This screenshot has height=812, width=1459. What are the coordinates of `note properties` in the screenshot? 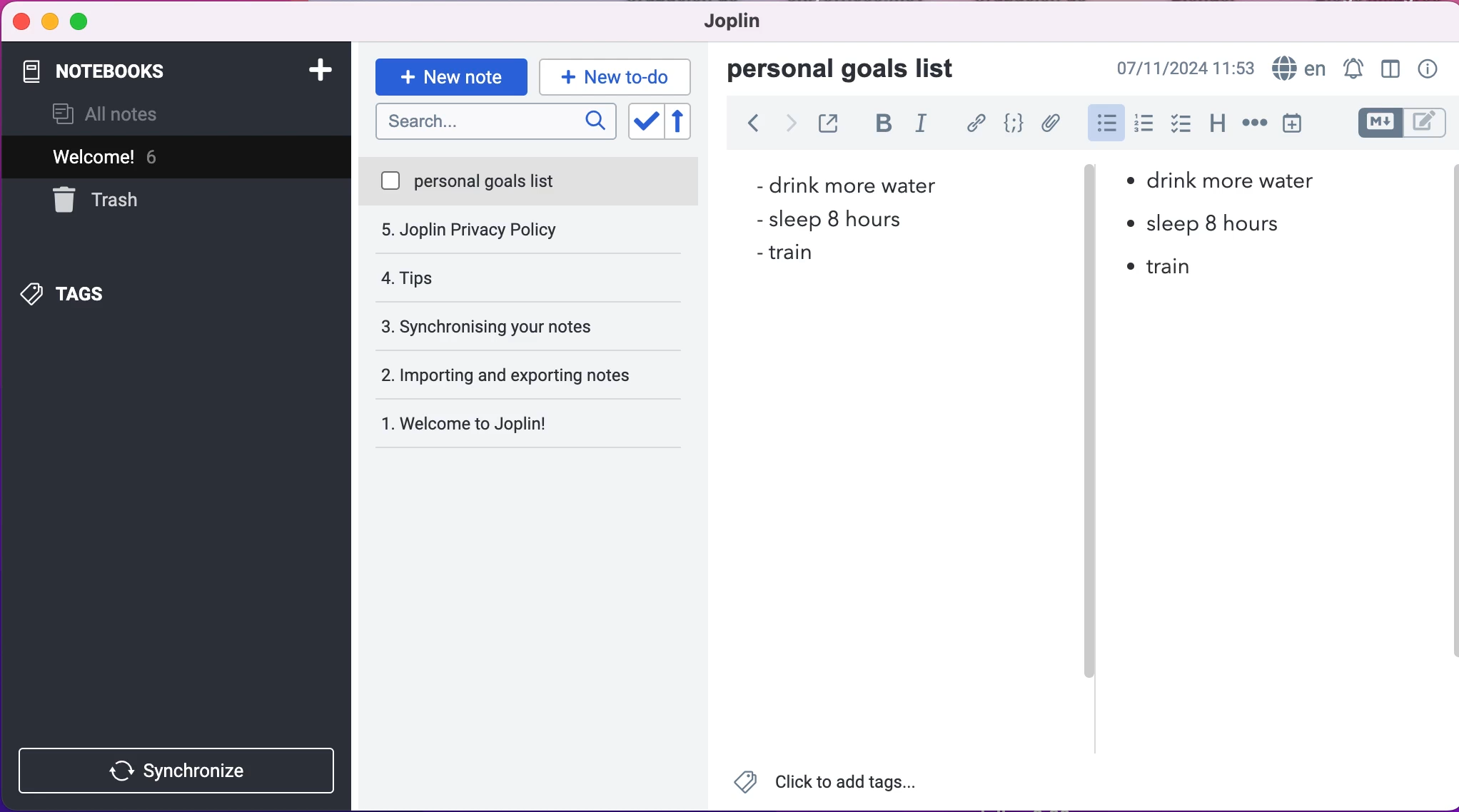 It's located at (1428, 67).